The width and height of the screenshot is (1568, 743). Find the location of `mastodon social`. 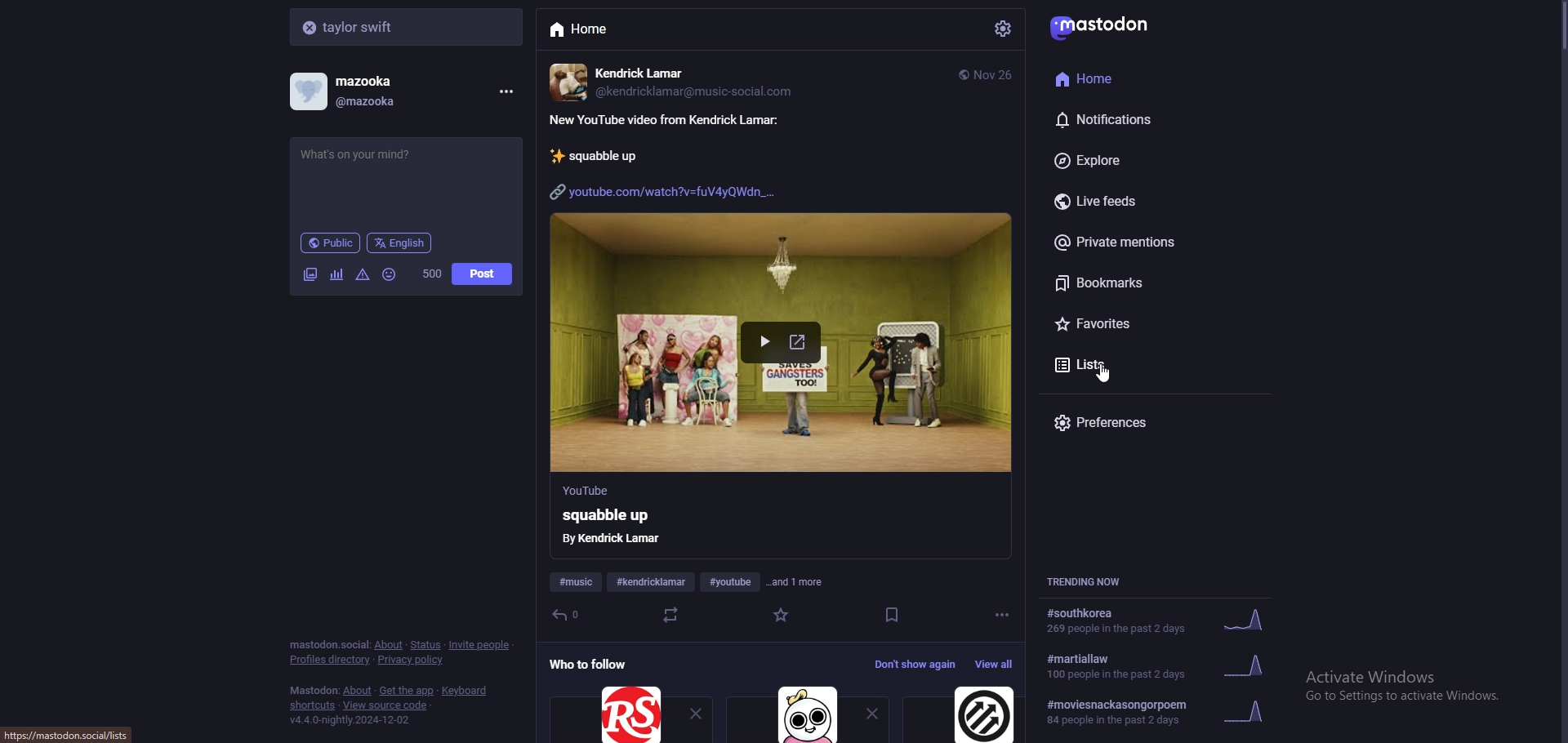

mastodon social is located at coordinates (328, 645).